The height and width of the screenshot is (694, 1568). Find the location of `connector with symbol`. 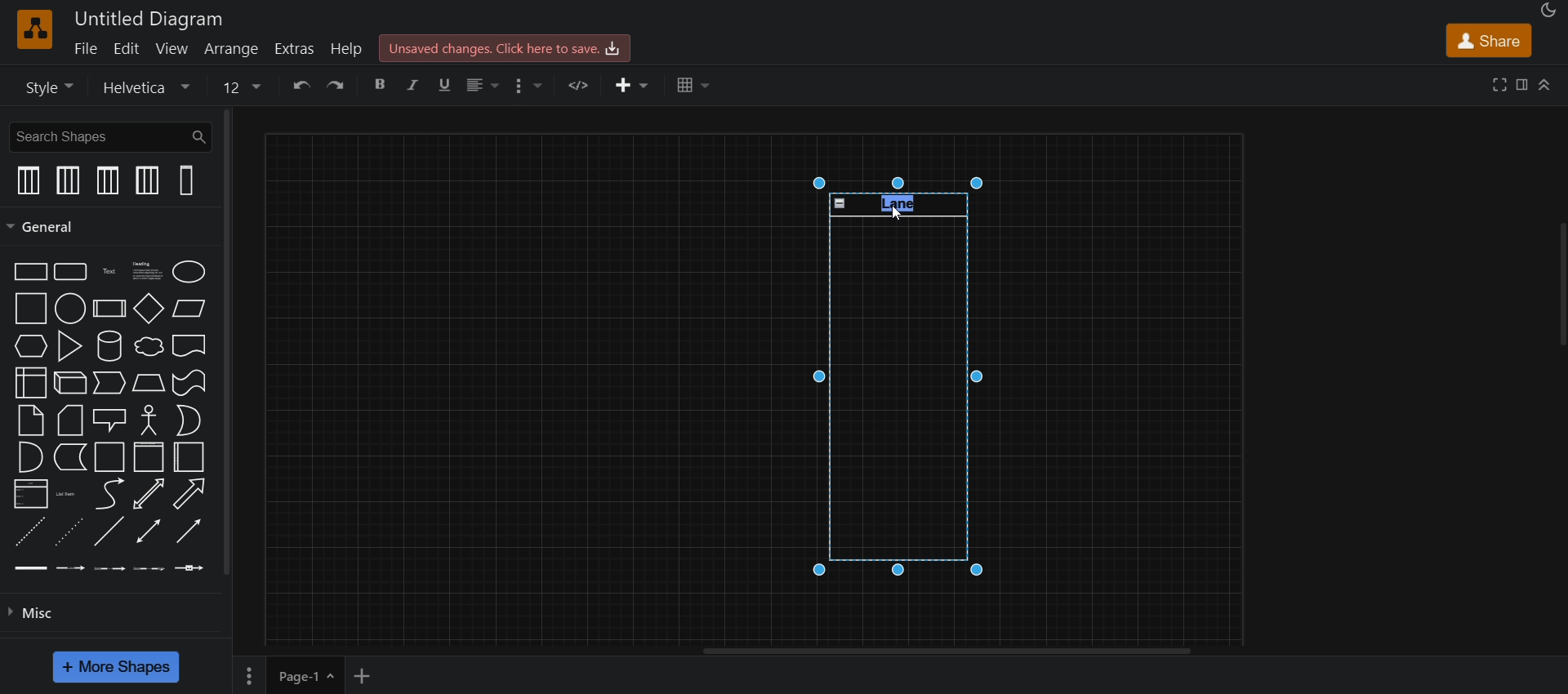

connector with symbol is located at coordinates (191, 570).